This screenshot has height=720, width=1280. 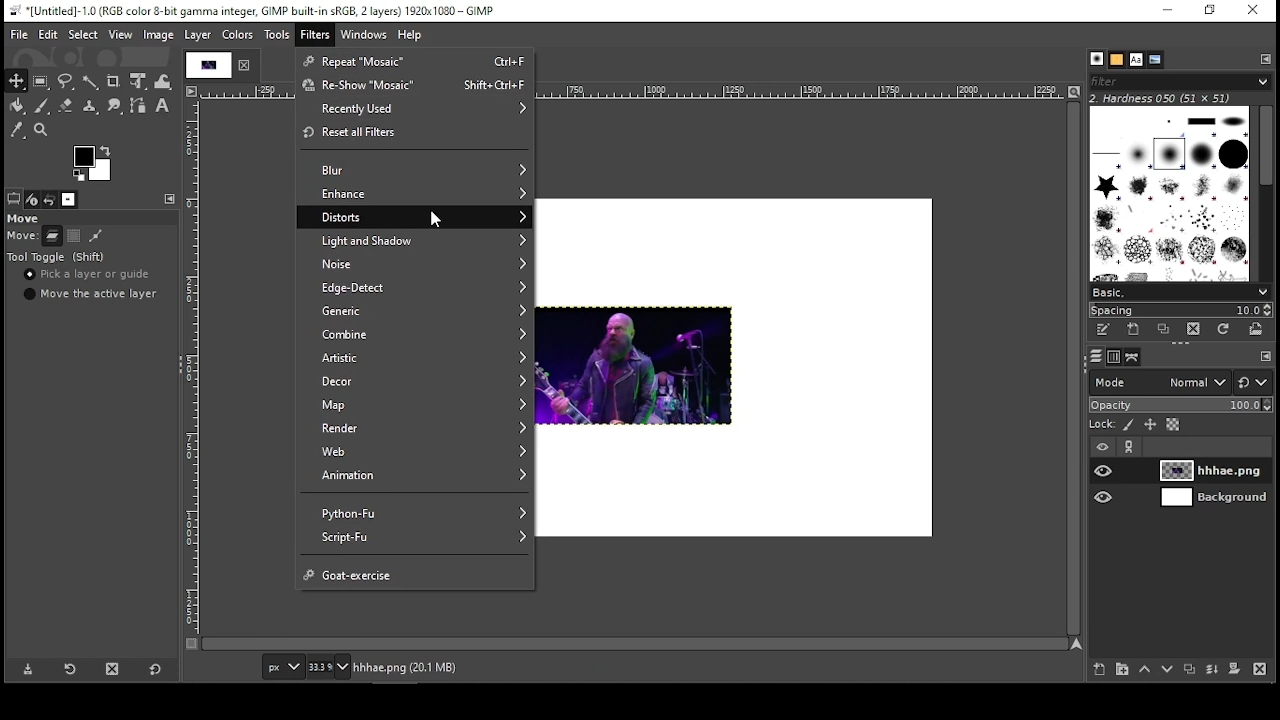 What do you see at coordinates (1211, 672) in the screenshot?
I see `merge layer` at bounding box center [1211, 672].